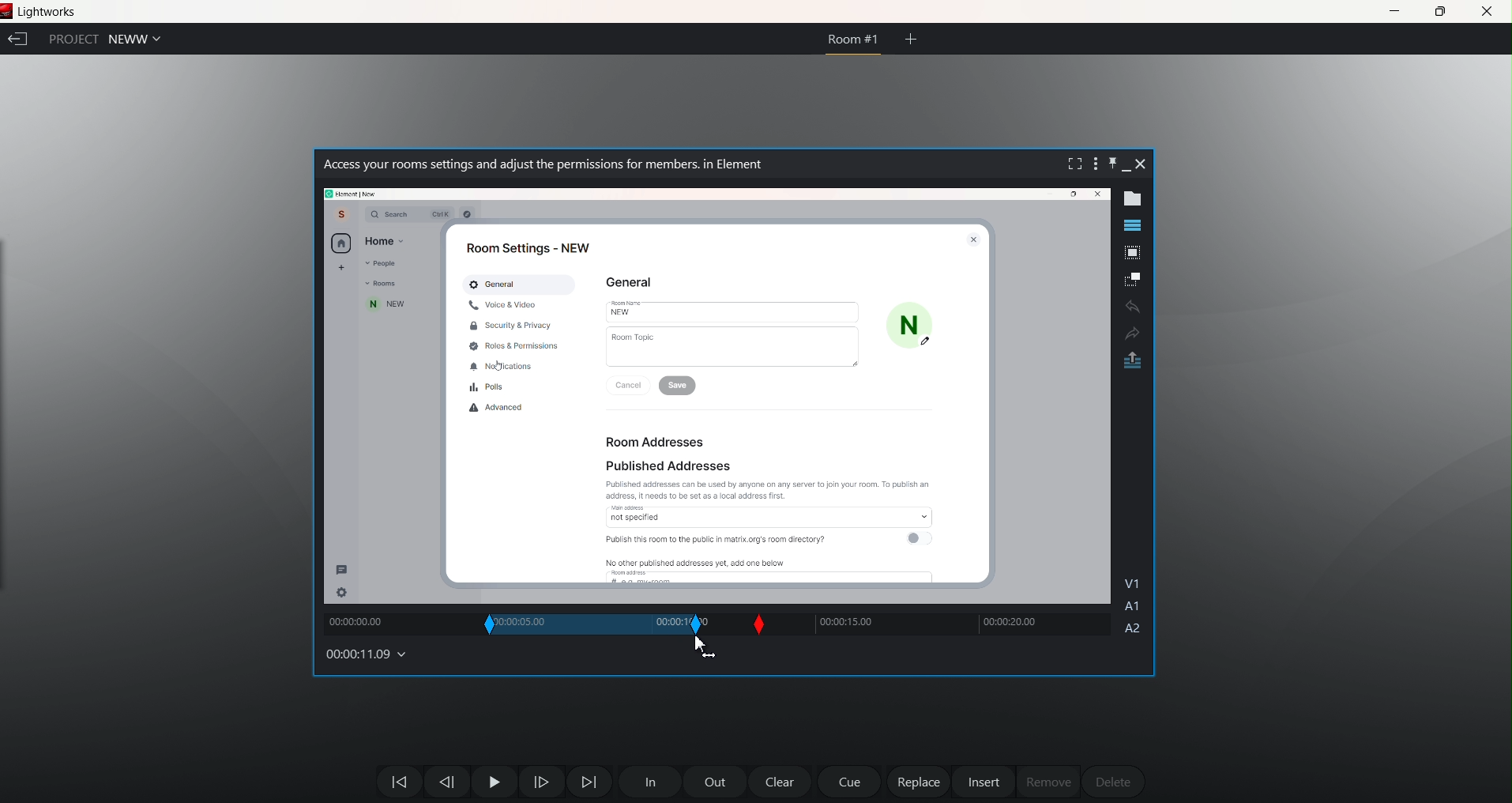 This screenshot has height=803, width=1512. Describe the element at coordinates (1086, 164) in the screenshot. I see `show setting menu` at that location.